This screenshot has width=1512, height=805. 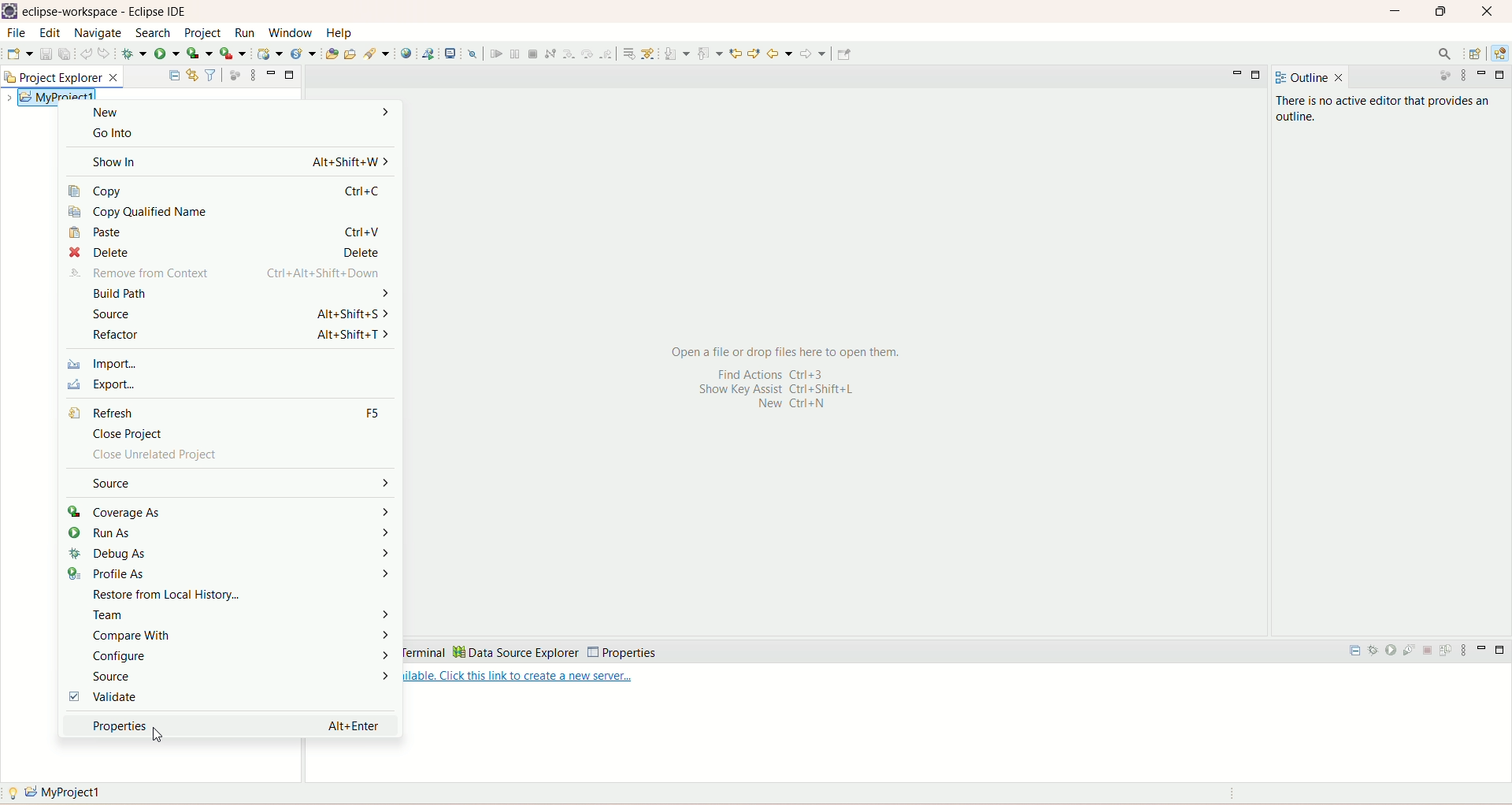 What do you see at coordinates (228, 618) in the screenshot?
I see `team` at bounding box center [228, 618].